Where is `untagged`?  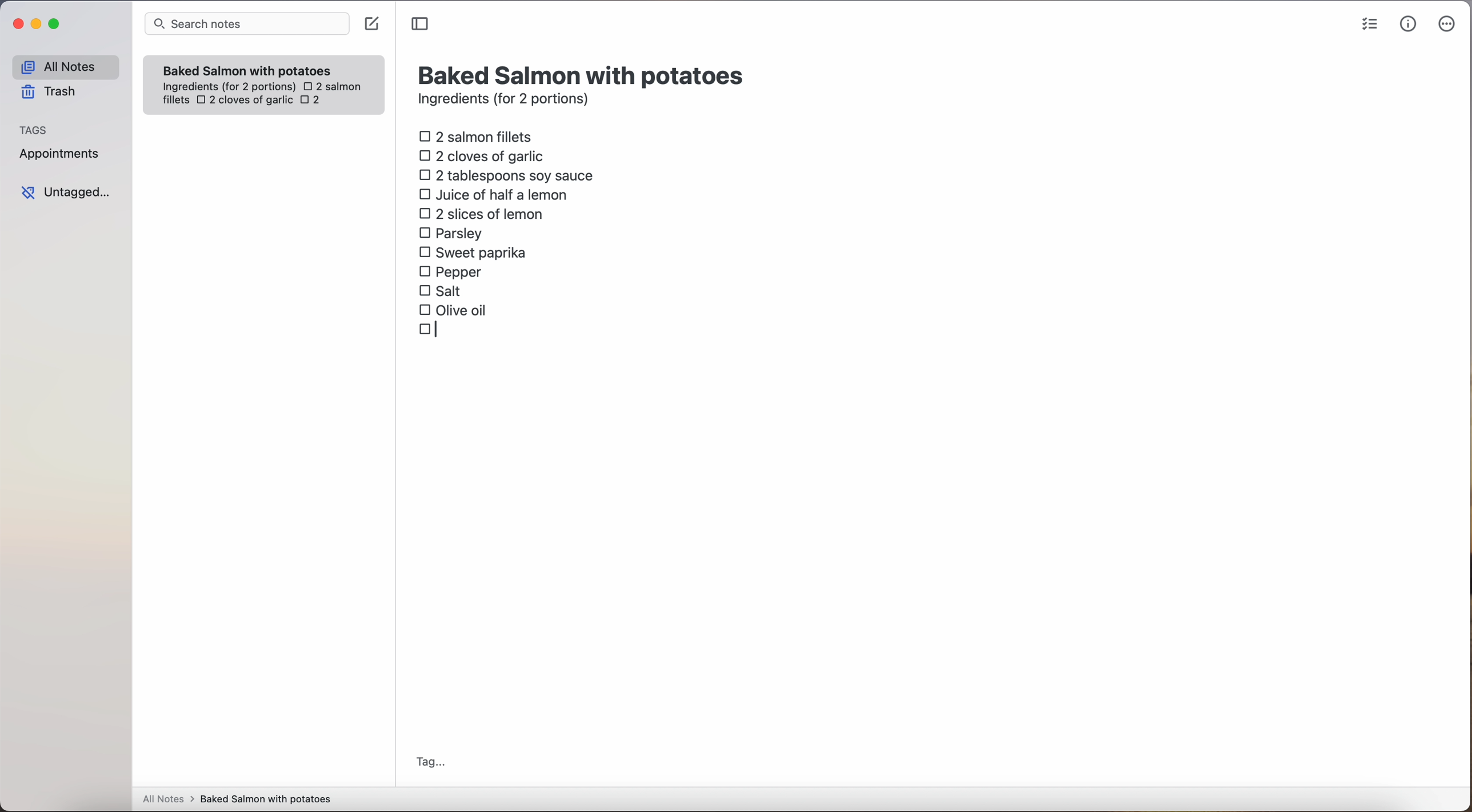
untagged is located at coordinates (67, 192).